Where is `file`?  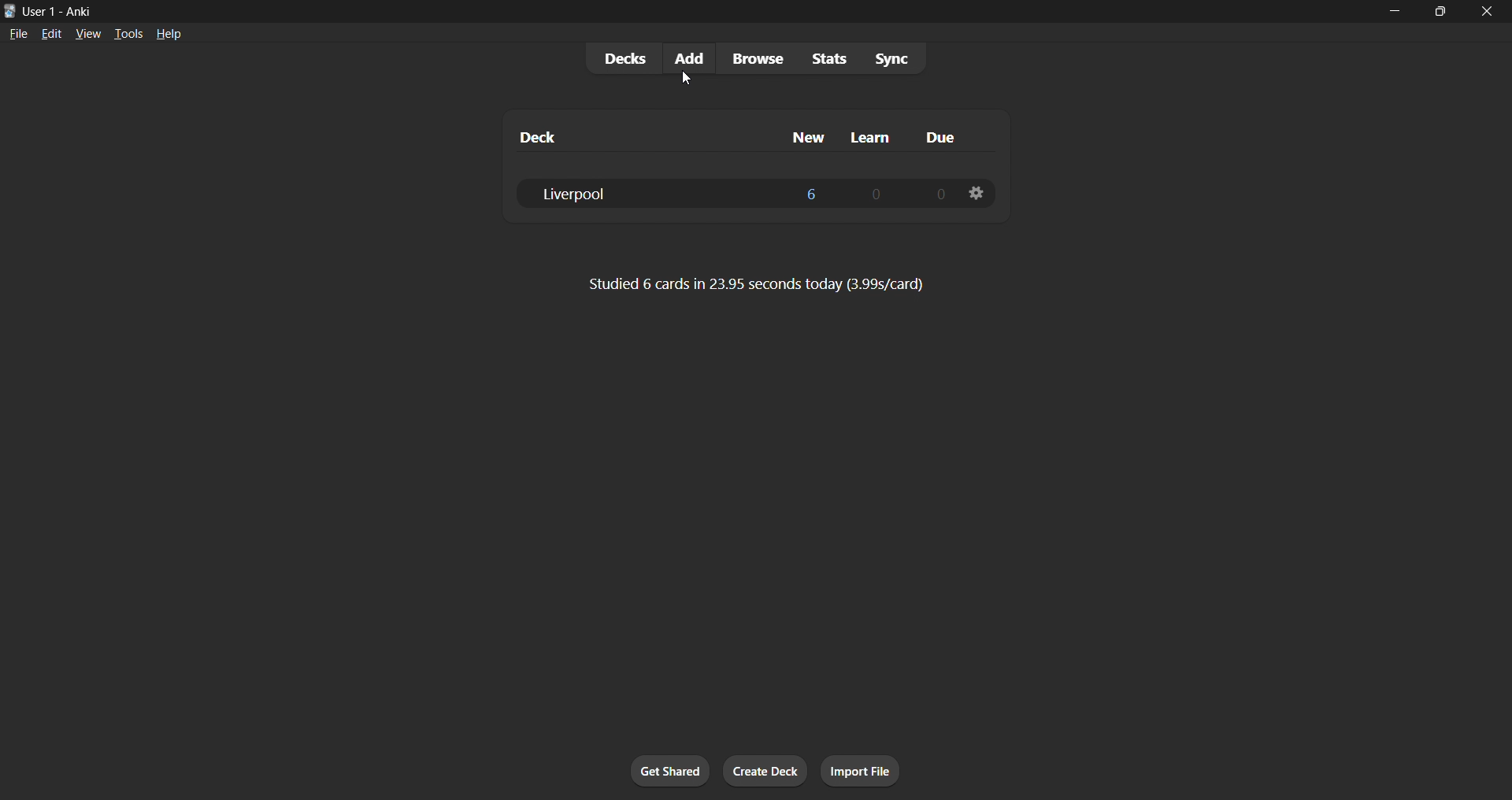 file is located at coordinates (18, 32).